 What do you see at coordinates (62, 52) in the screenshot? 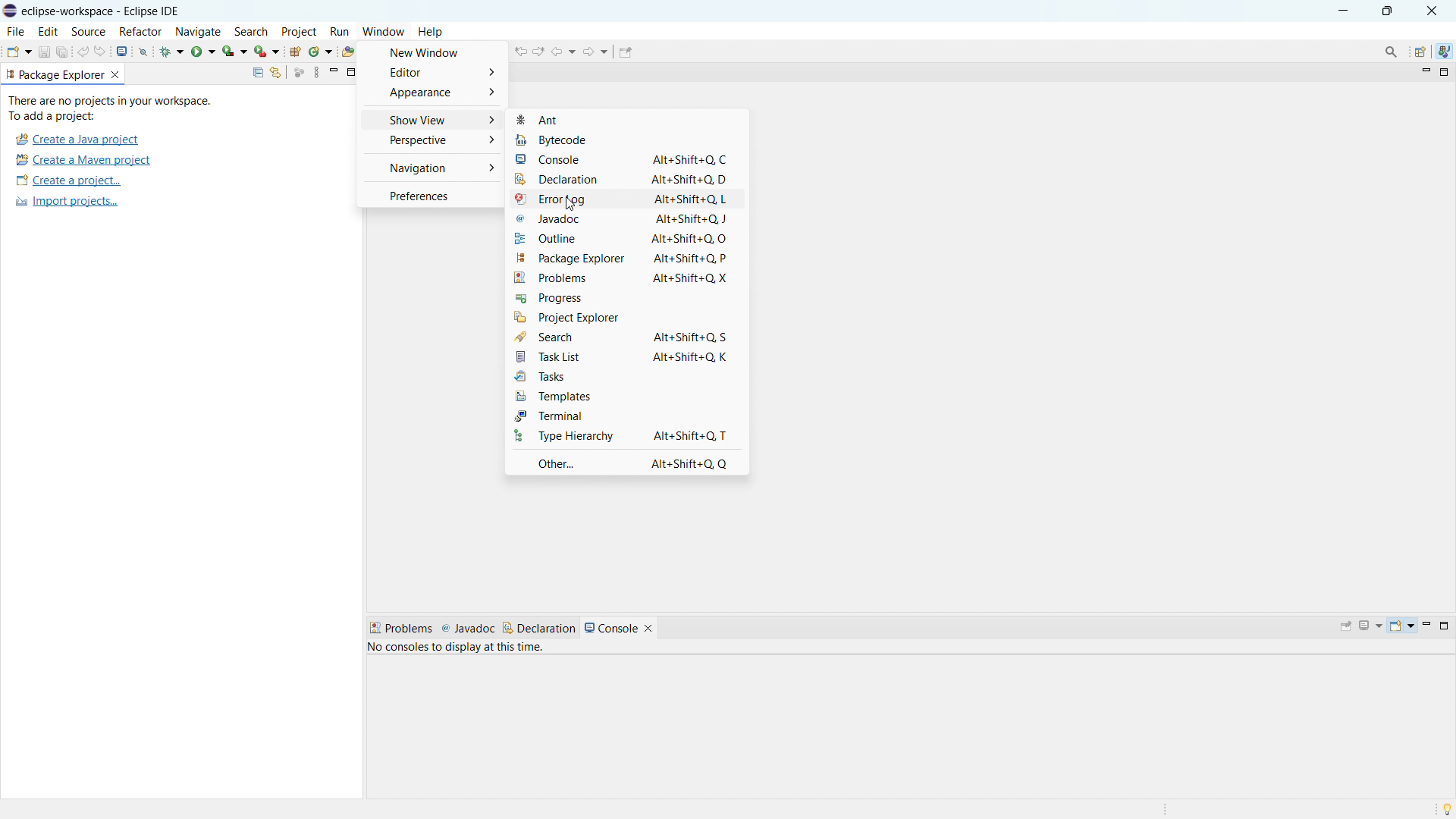
I see `save all` at bounding box center [62, 52].